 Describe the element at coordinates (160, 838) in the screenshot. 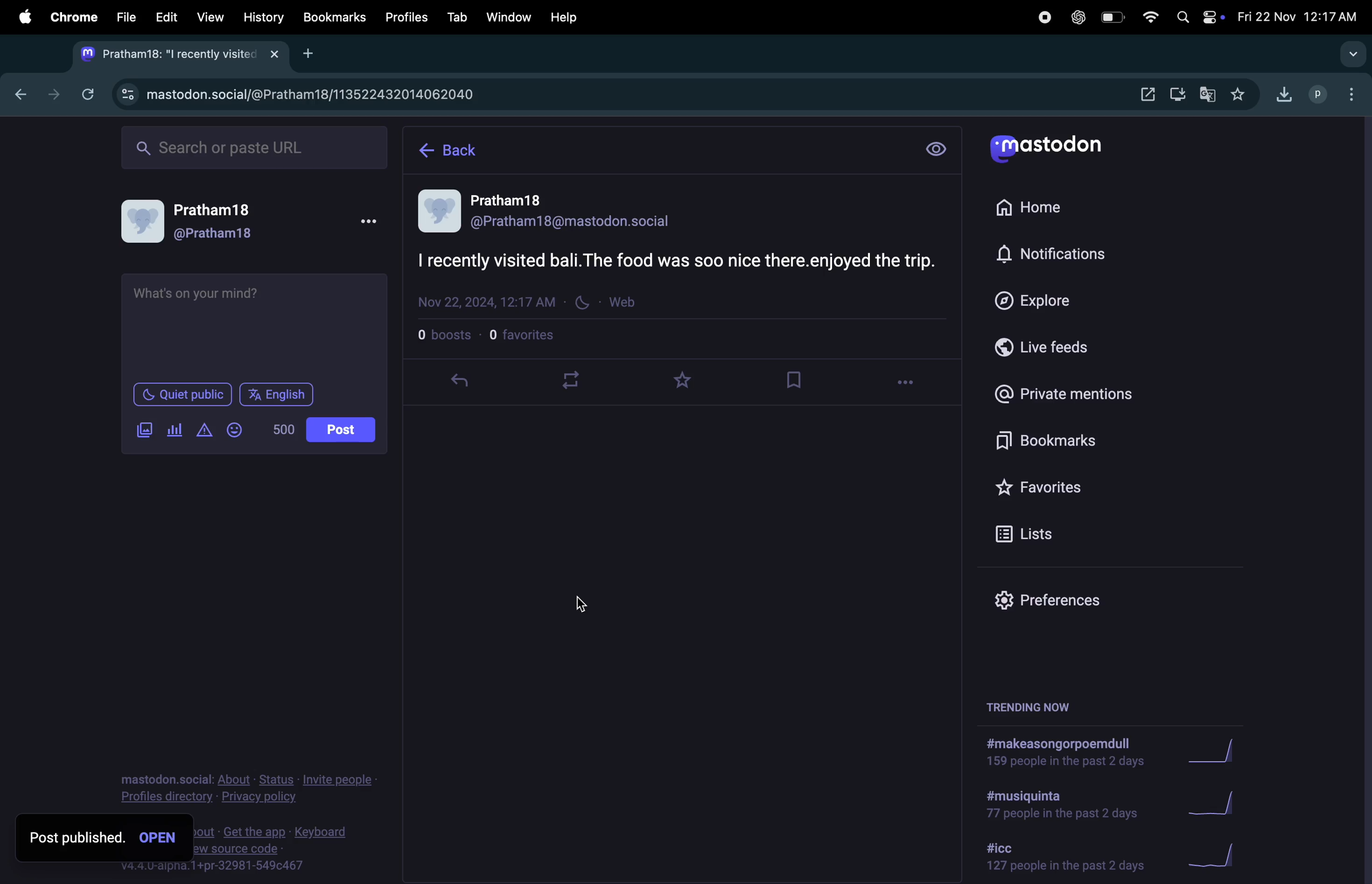

I see `open` at that location.